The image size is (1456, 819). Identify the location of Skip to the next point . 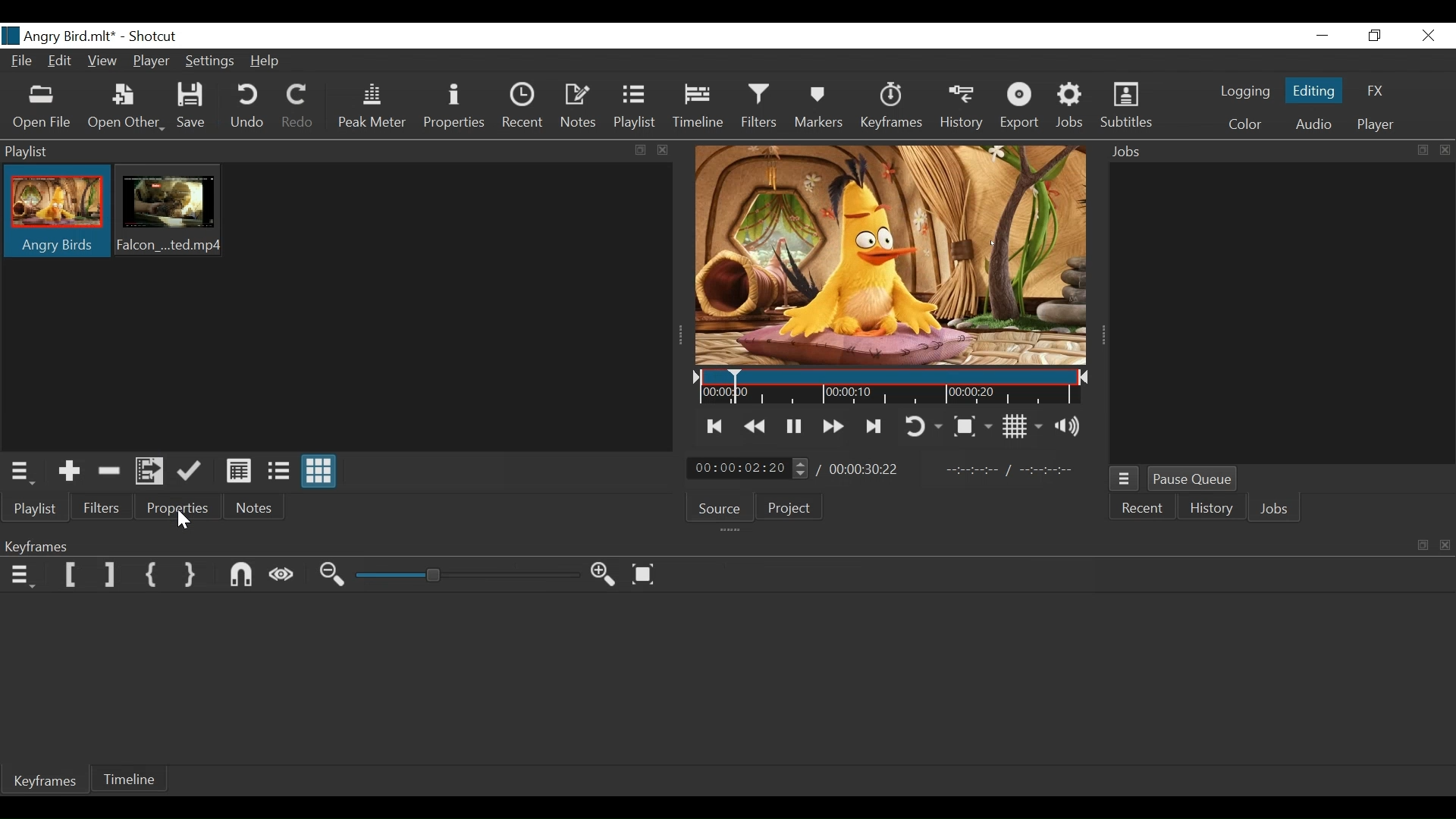
(875, 426).